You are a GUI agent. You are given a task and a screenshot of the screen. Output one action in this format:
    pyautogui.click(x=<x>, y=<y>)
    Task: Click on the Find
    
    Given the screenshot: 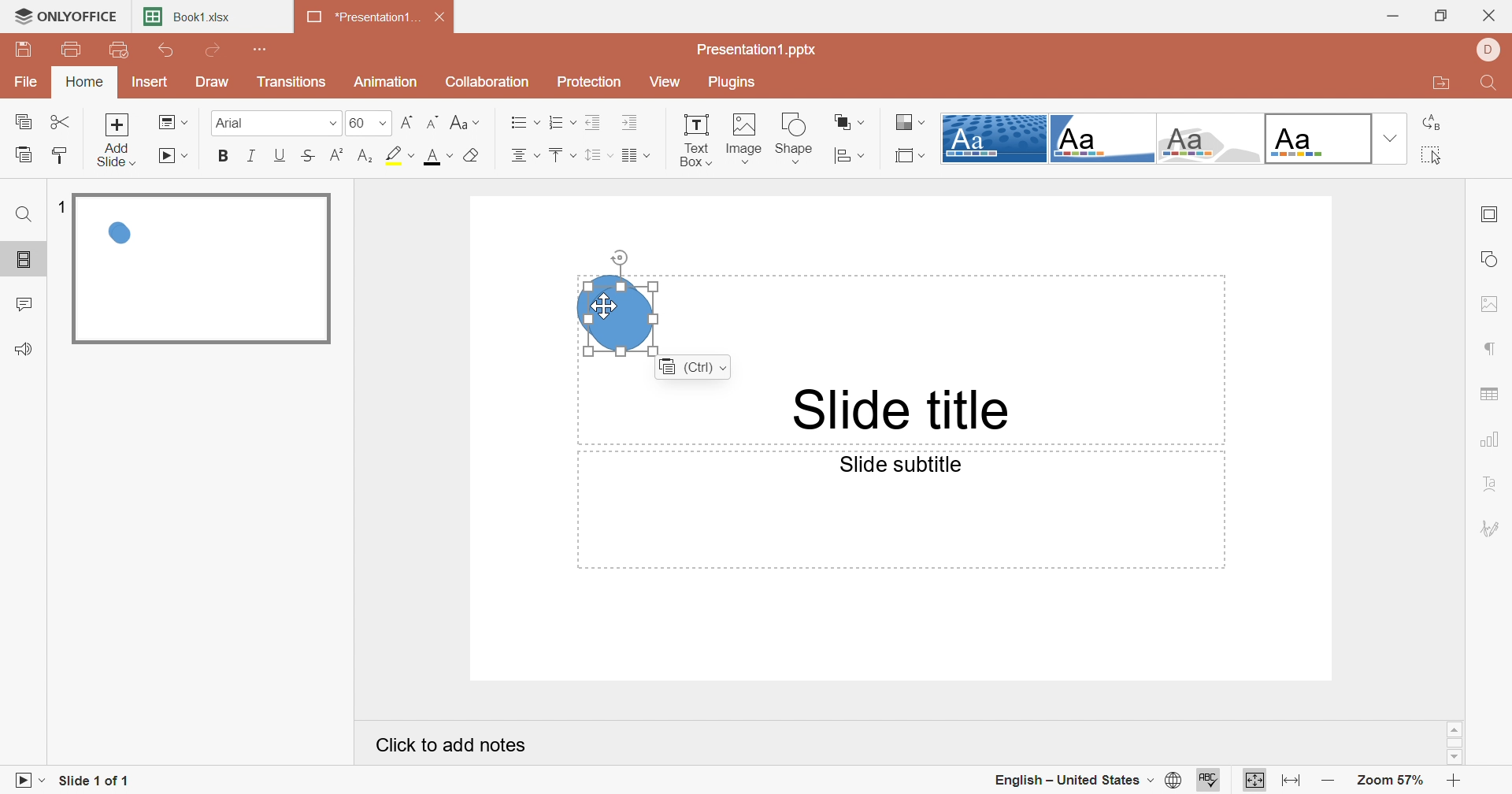 What is the action you would take?
    pyautogui.click(x=24, y=217)
    